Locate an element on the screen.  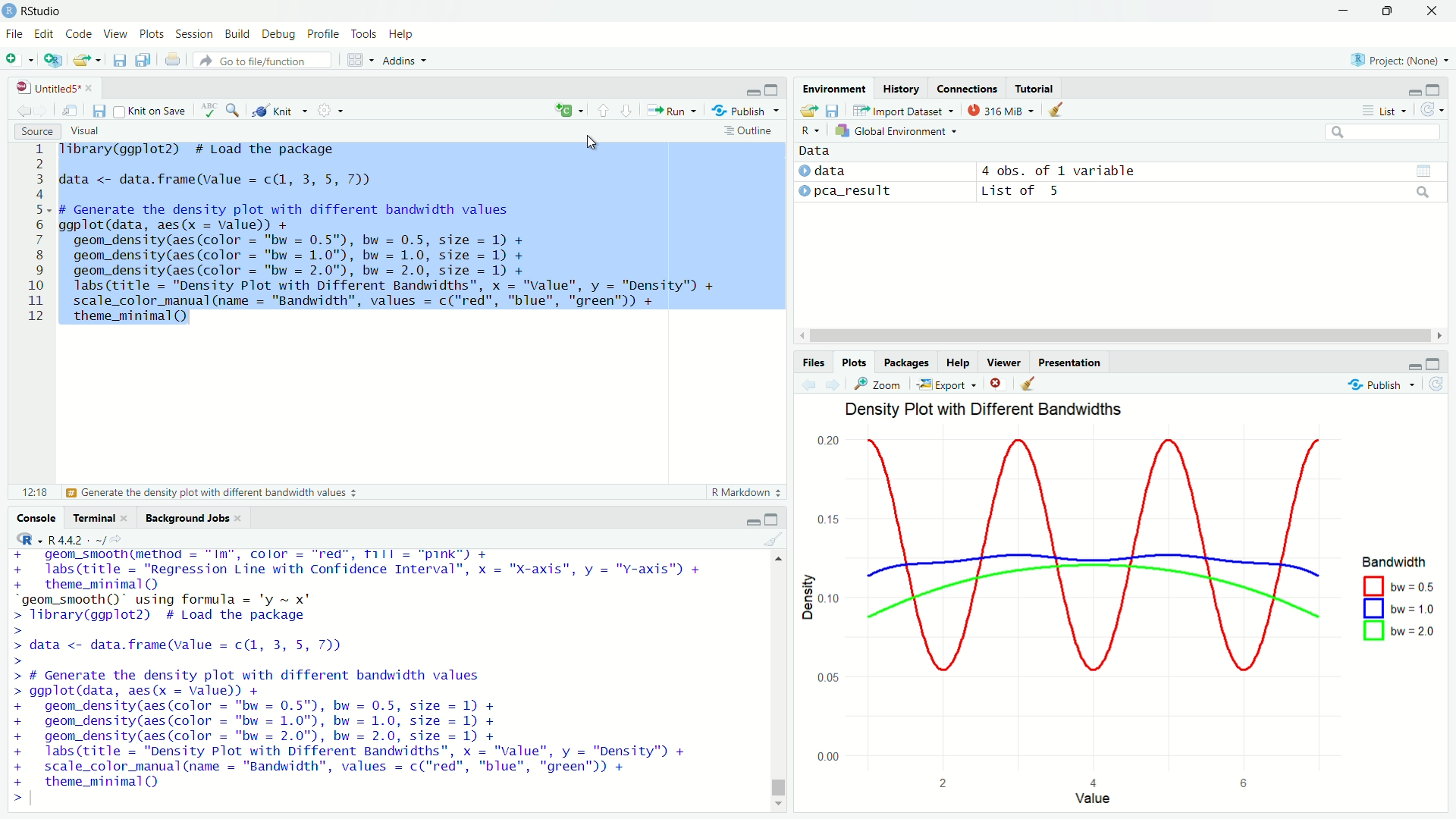
horizontal scroll bar is located at coordinates (1121, 336).